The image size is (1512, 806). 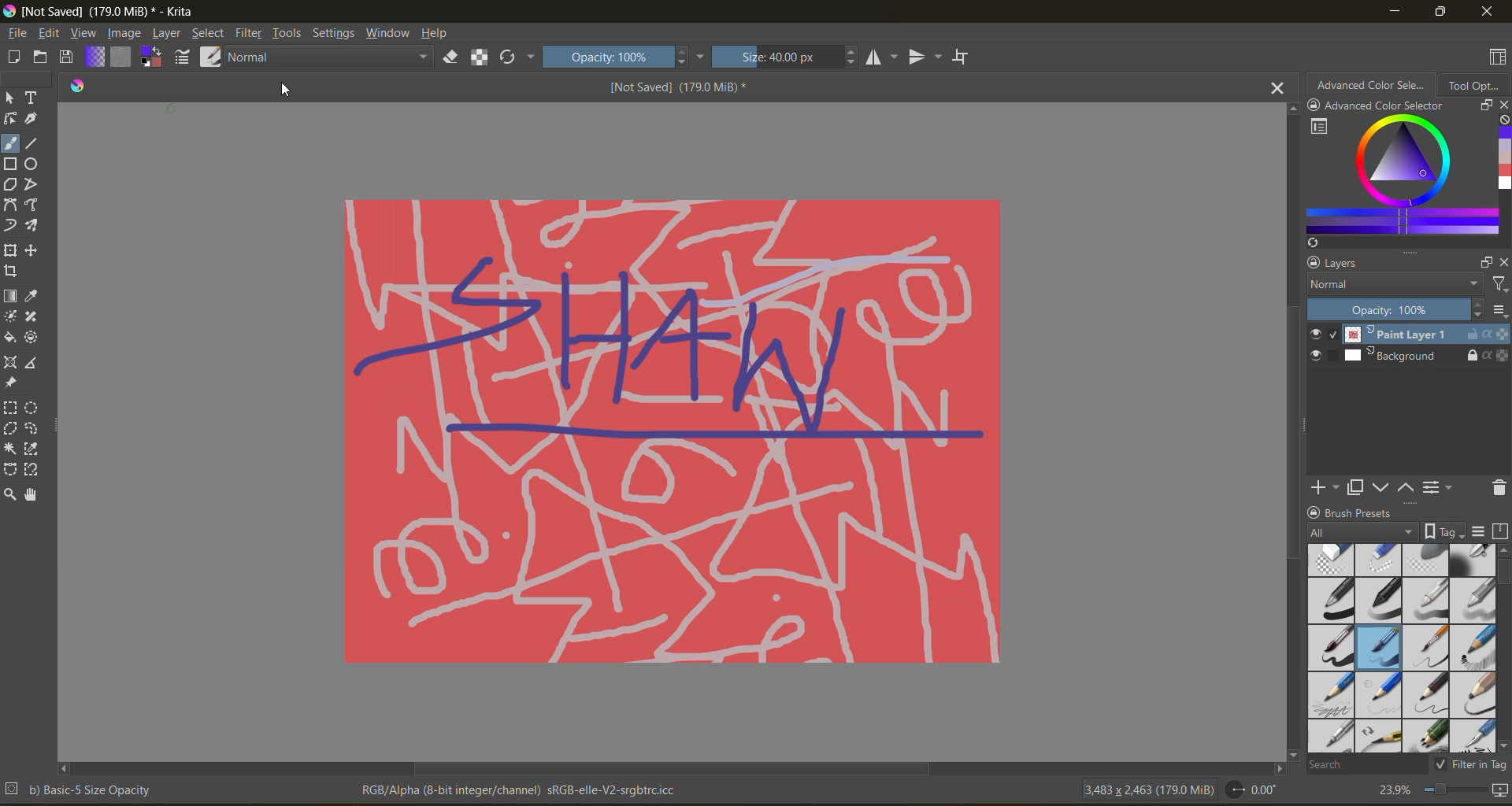 What do you see at coordinates (33, 494) in the screenshot?
I see `pan tool` at bounding box center [33, 494].